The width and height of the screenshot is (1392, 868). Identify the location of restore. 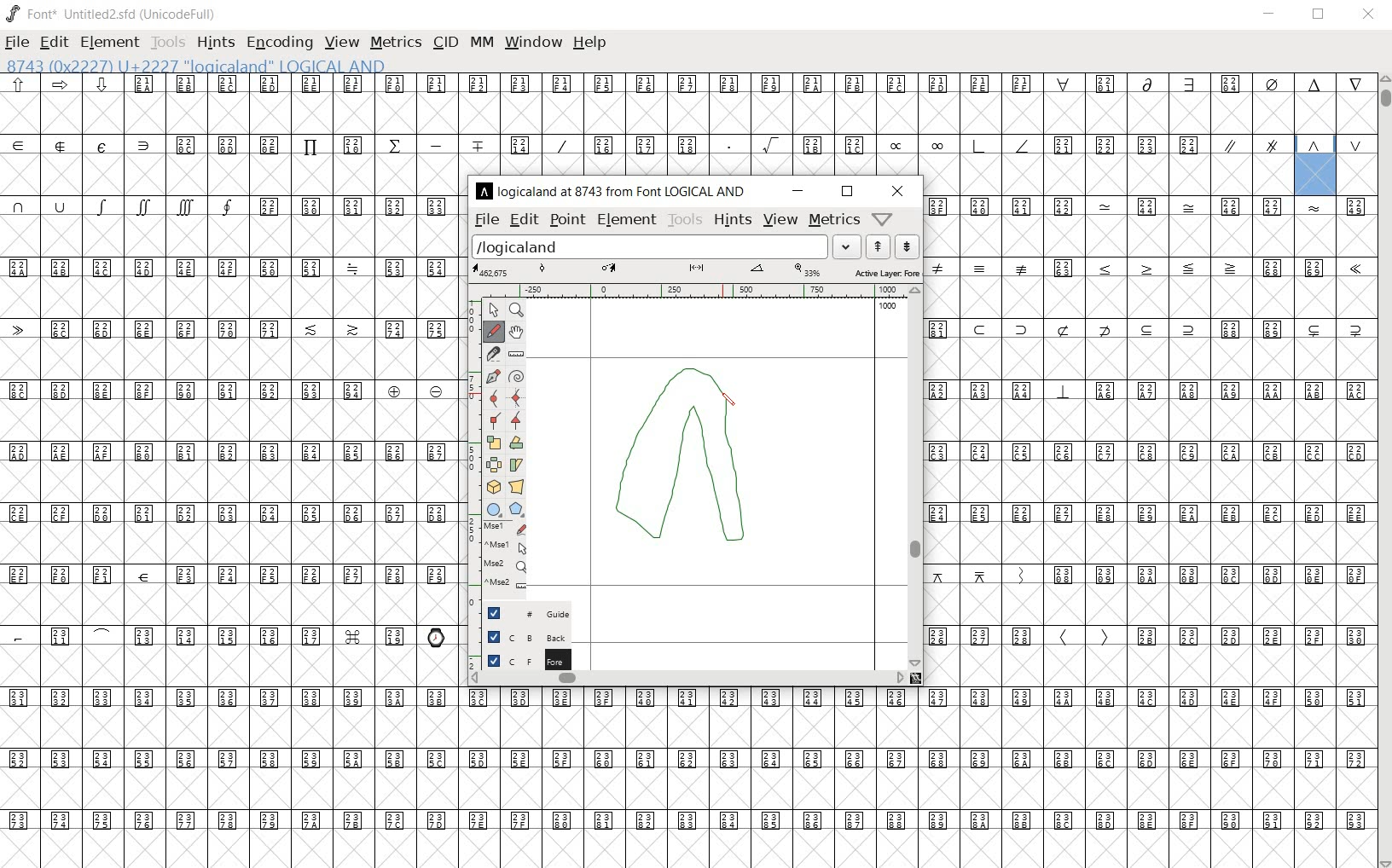
(1319, 14).